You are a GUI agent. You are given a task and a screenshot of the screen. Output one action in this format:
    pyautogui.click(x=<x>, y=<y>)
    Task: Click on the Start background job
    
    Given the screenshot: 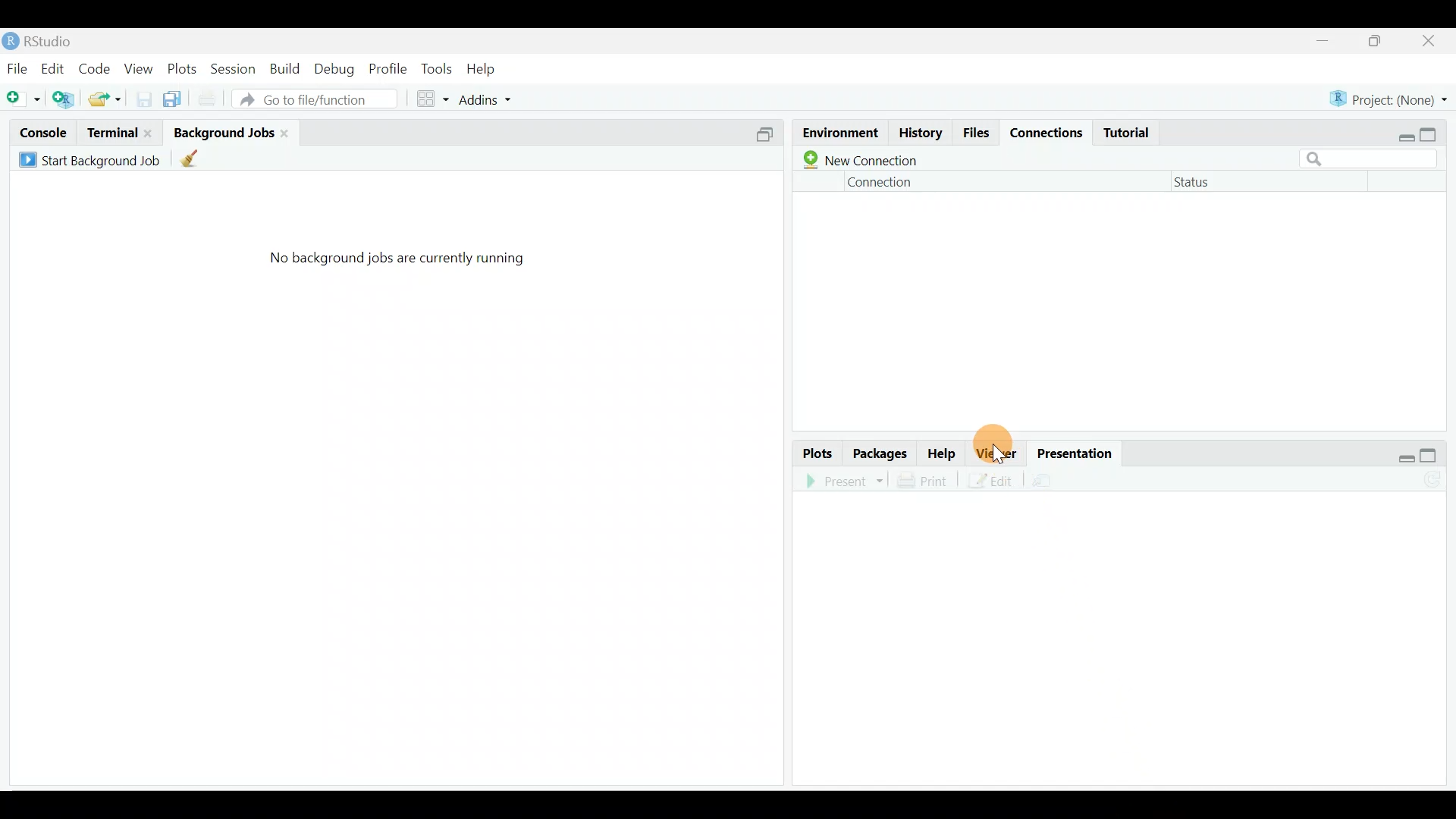 What is the action you would take?
    pyautogui.click(x=93, y=158)
    